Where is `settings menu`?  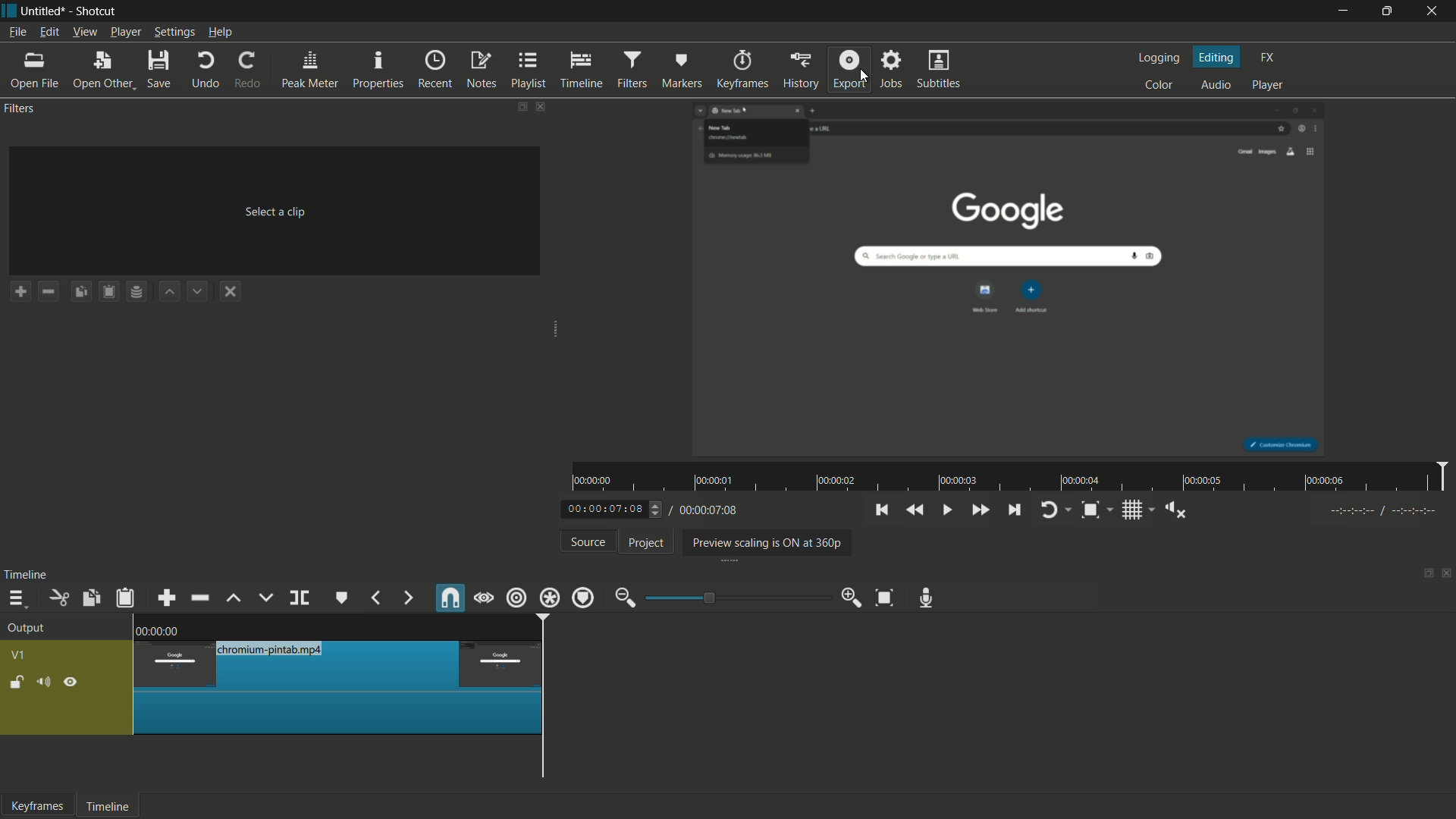 settings menu is located at coordinates (174, 33).